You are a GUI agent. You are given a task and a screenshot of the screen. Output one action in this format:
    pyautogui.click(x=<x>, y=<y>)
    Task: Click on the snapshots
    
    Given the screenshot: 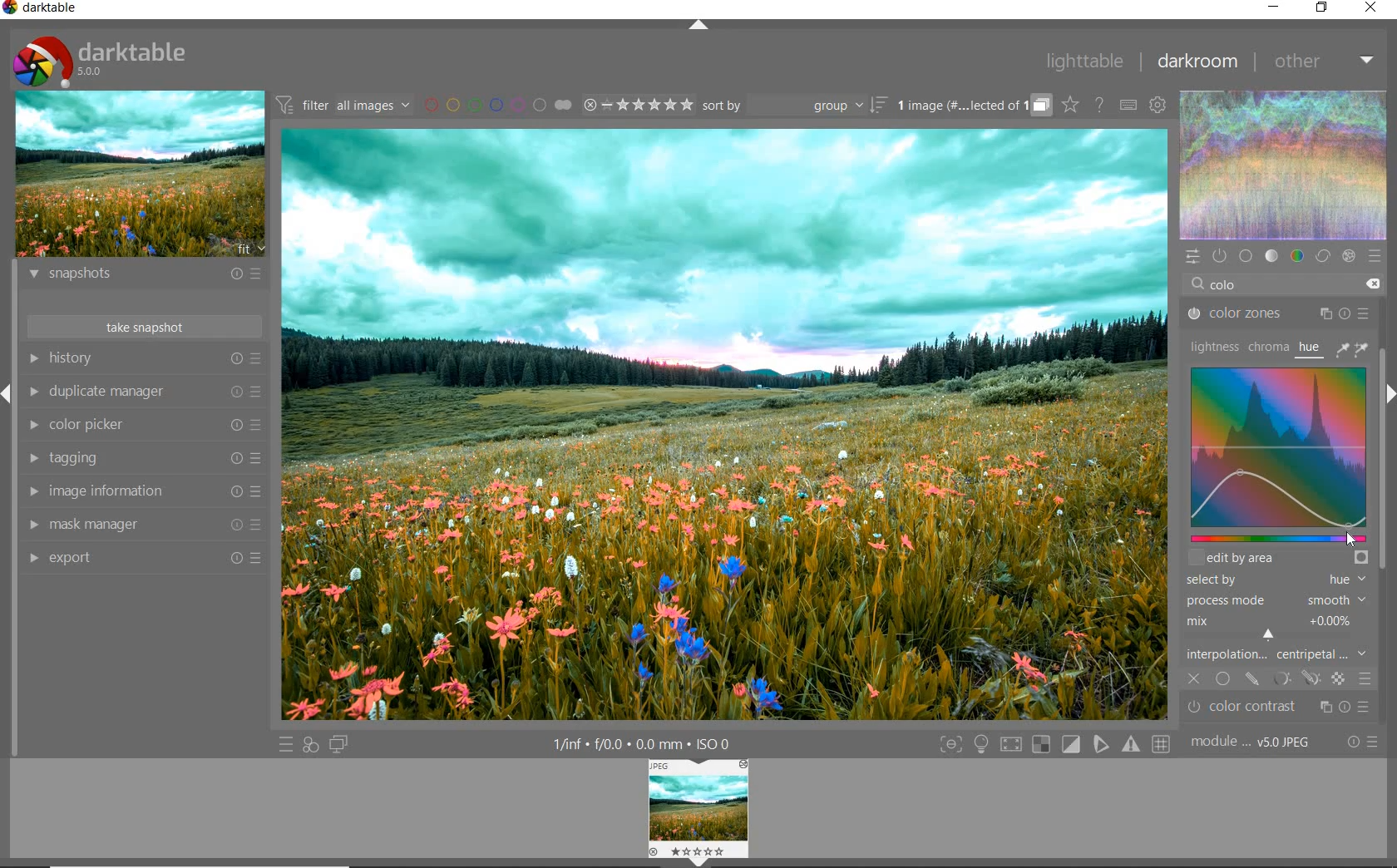 What is the action you would take?
    pyautogui.click(x=141, y=277)
    